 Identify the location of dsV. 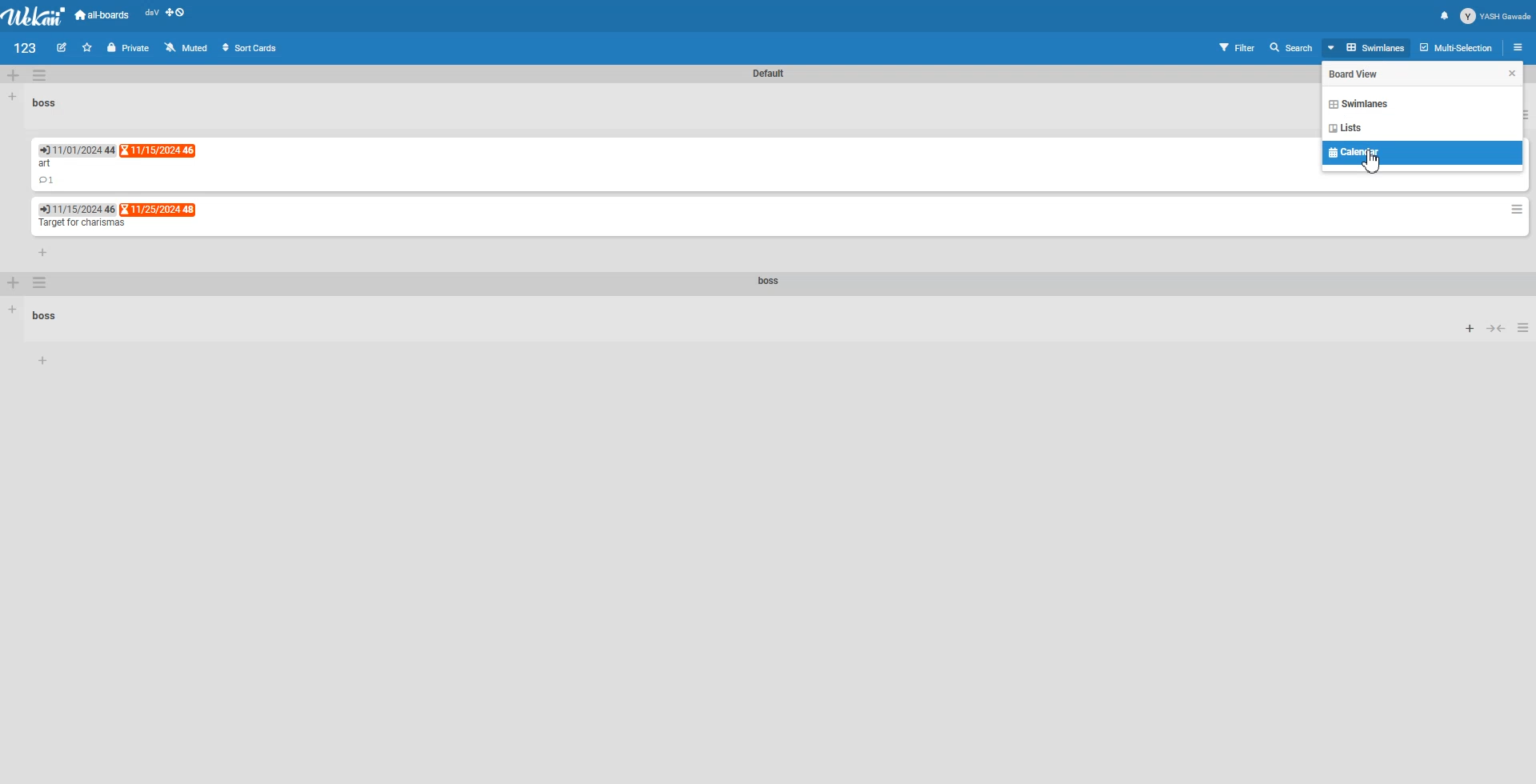
(151, 13).